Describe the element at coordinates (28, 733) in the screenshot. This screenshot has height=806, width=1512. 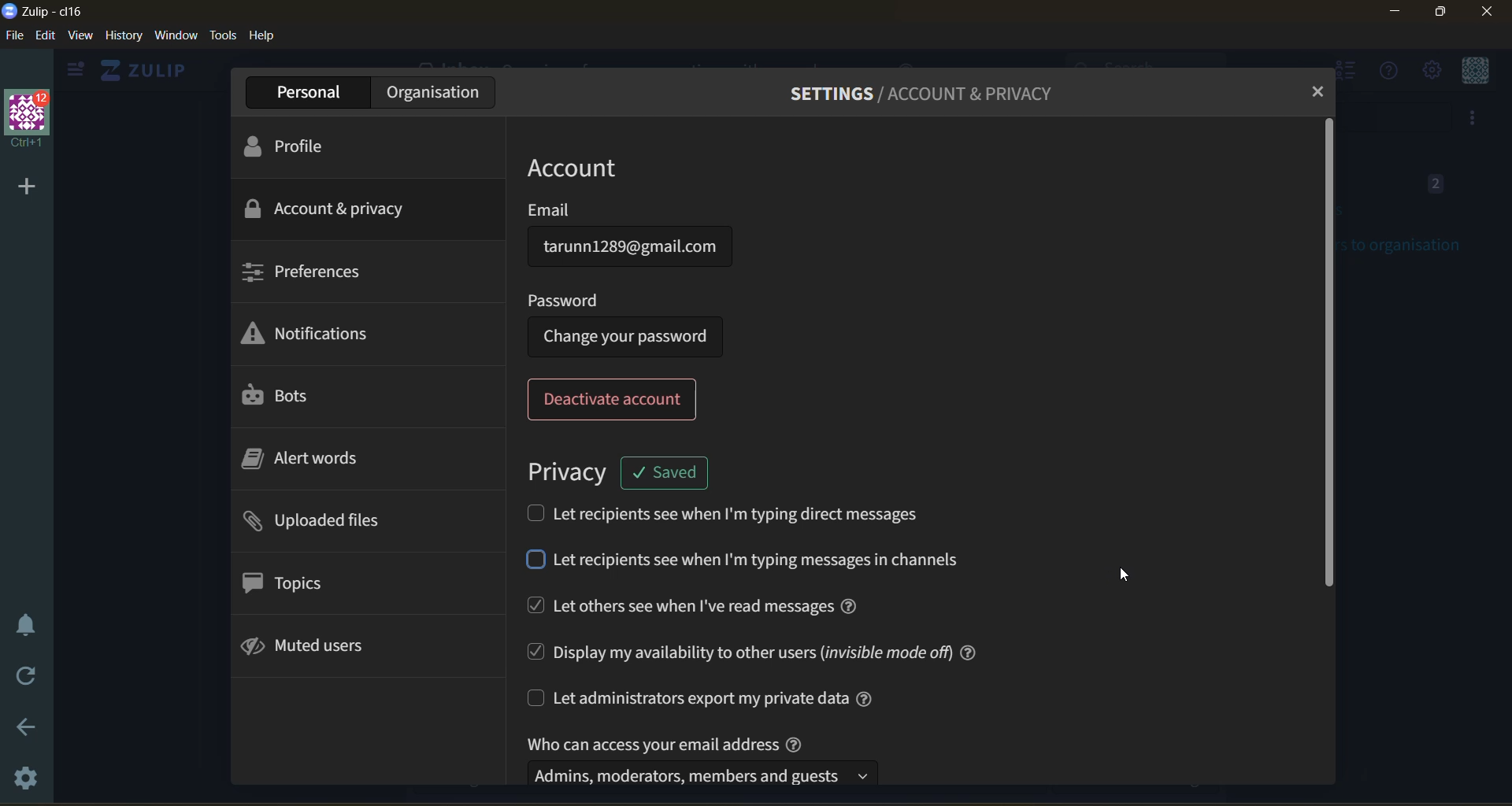
I see `go back` at that location.